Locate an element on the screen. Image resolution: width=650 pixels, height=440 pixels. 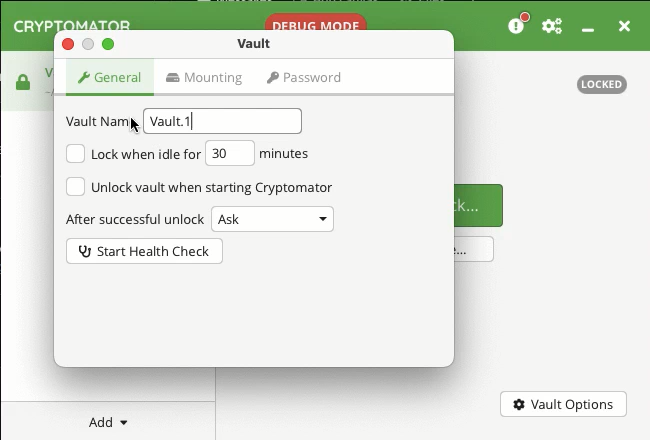
Vault is located at coordinates (256, 42).